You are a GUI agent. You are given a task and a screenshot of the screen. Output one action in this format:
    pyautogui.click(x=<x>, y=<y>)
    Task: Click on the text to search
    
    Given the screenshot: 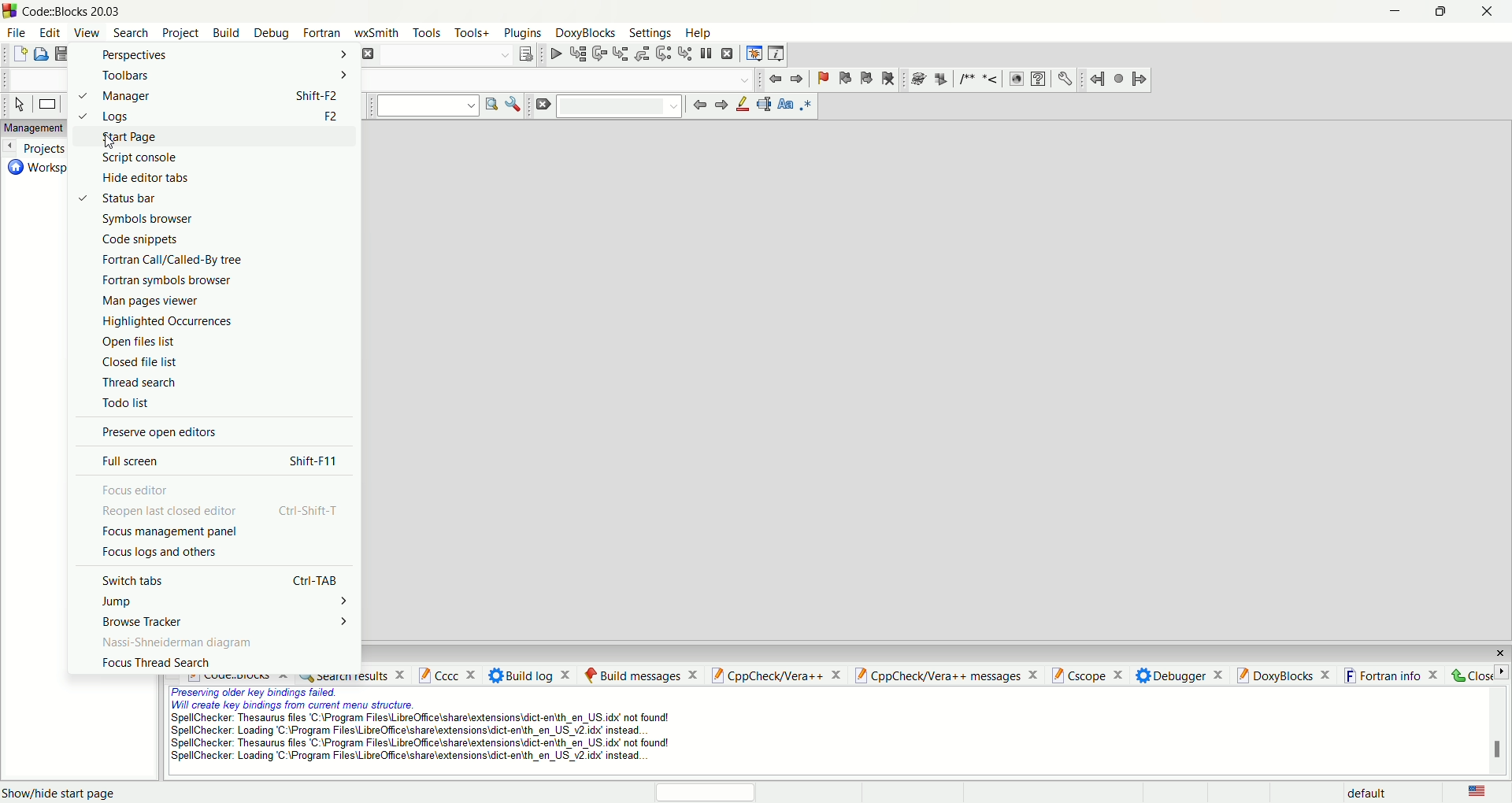 What is the action you would take?
    pyautogui.click(x=427, y=107)
    